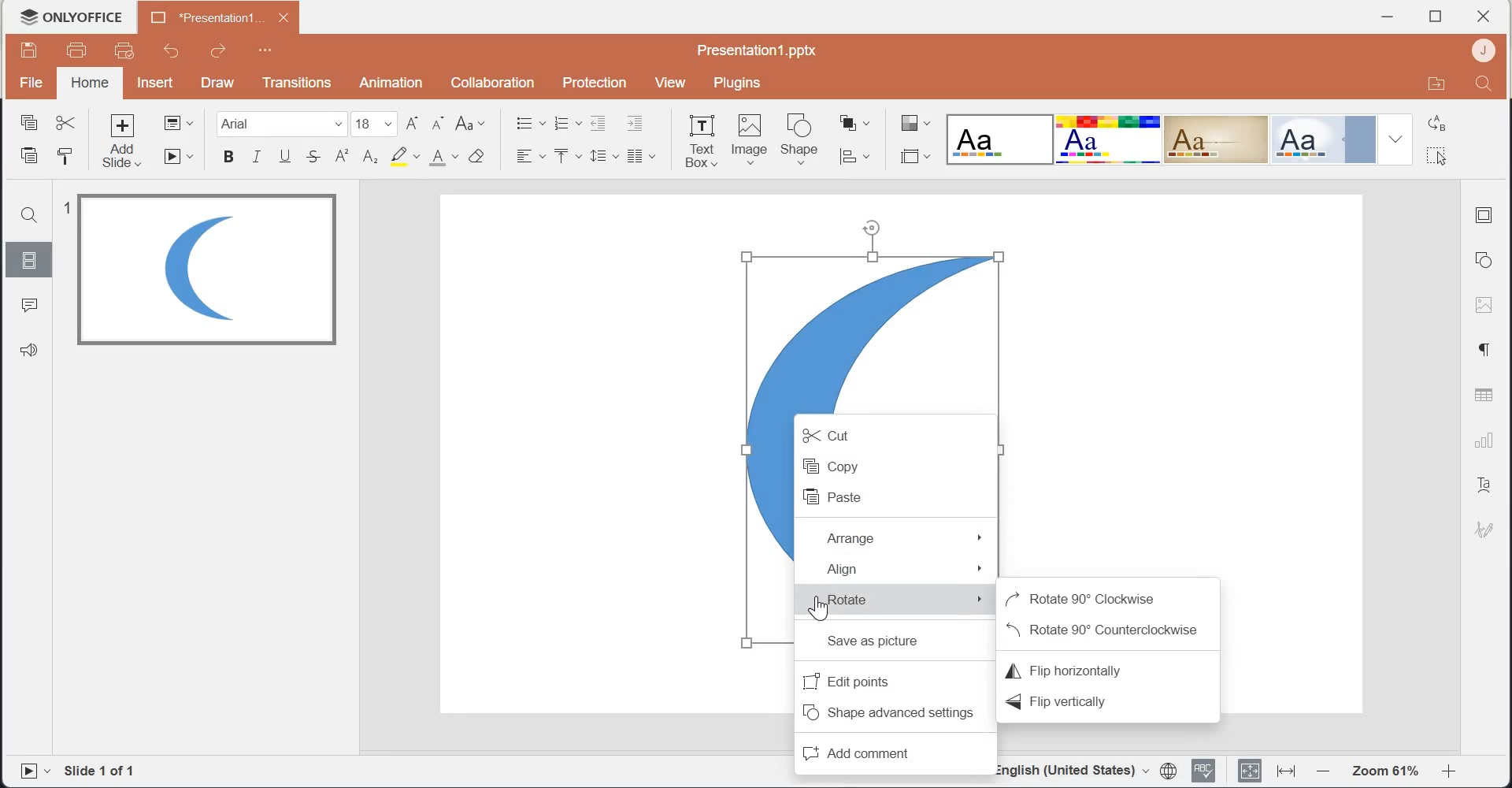 Image resolution: width=1512 pixels, height=788 pixels. What do you see at coordinates (902, 643) in the screenshot?
I see `Save as picture` at bounding box center [902, 643].